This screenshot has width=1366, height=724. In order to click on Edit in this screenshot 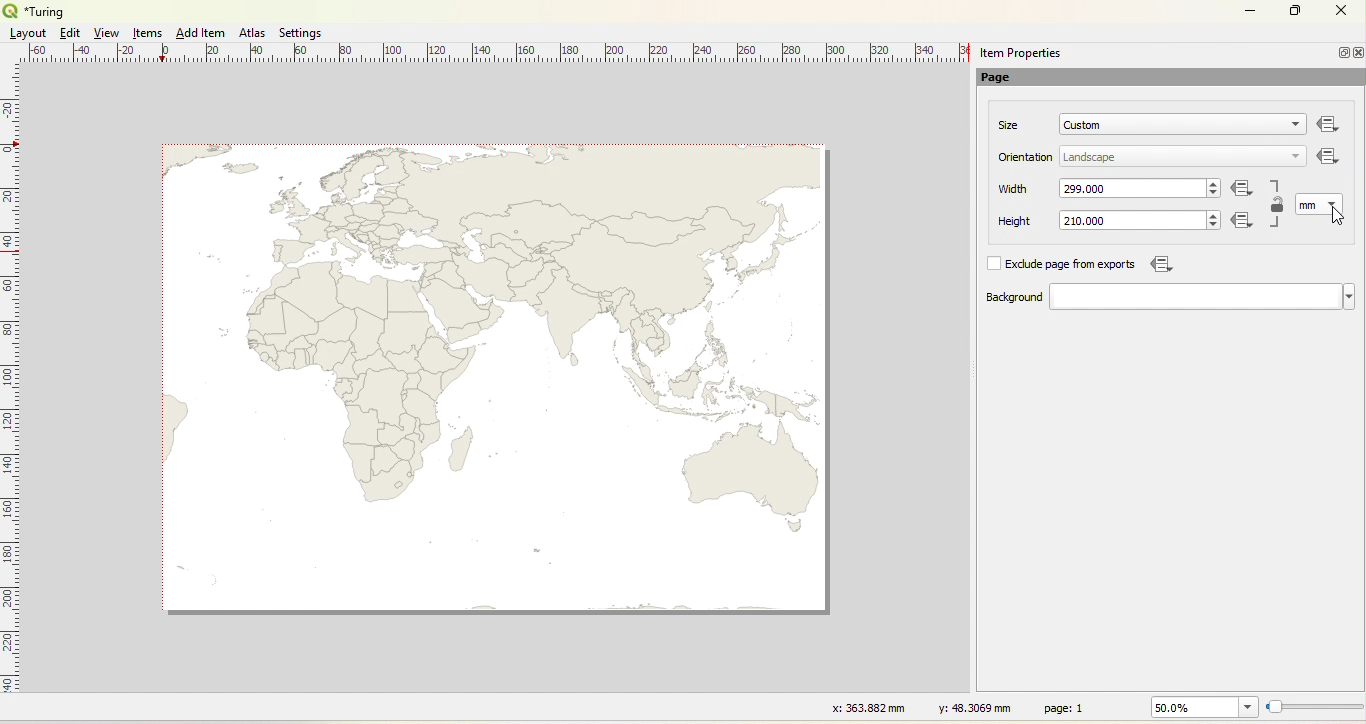, I will do `click(68, 33)`.